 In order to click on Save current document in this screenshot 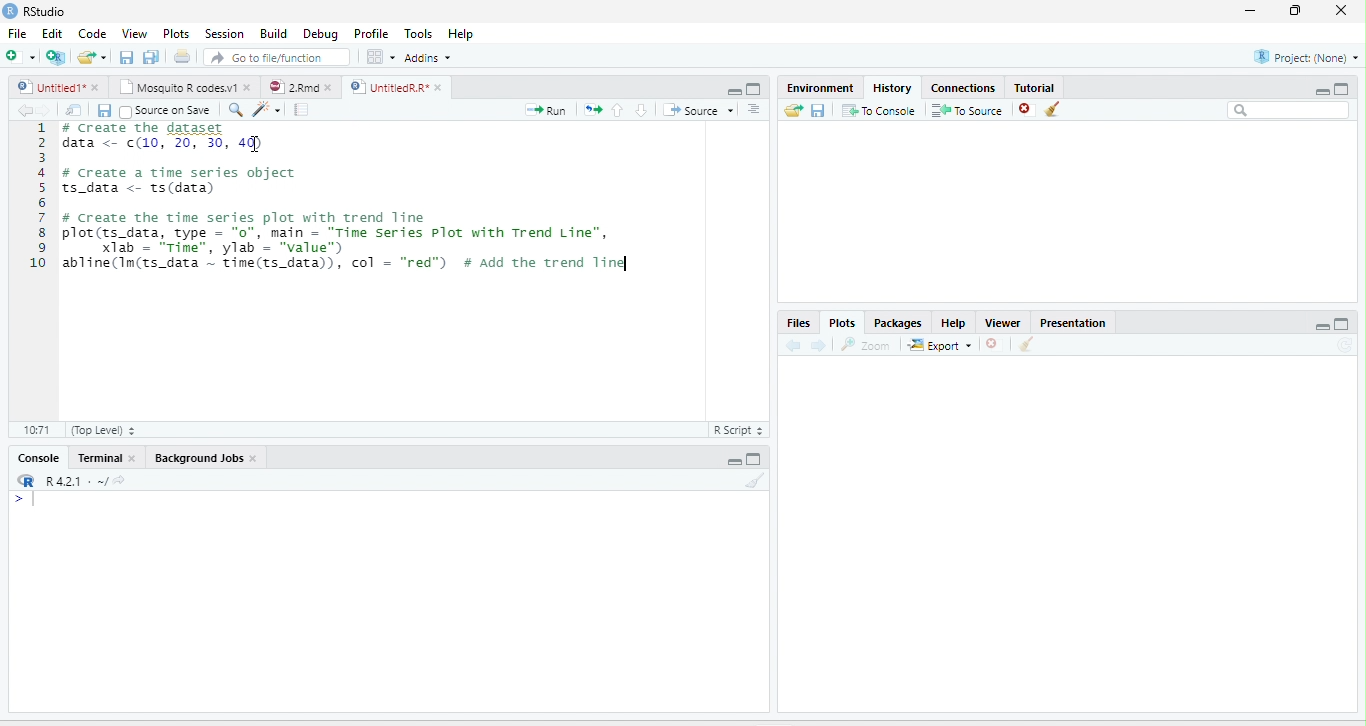, I will do `click(104, 111)`.